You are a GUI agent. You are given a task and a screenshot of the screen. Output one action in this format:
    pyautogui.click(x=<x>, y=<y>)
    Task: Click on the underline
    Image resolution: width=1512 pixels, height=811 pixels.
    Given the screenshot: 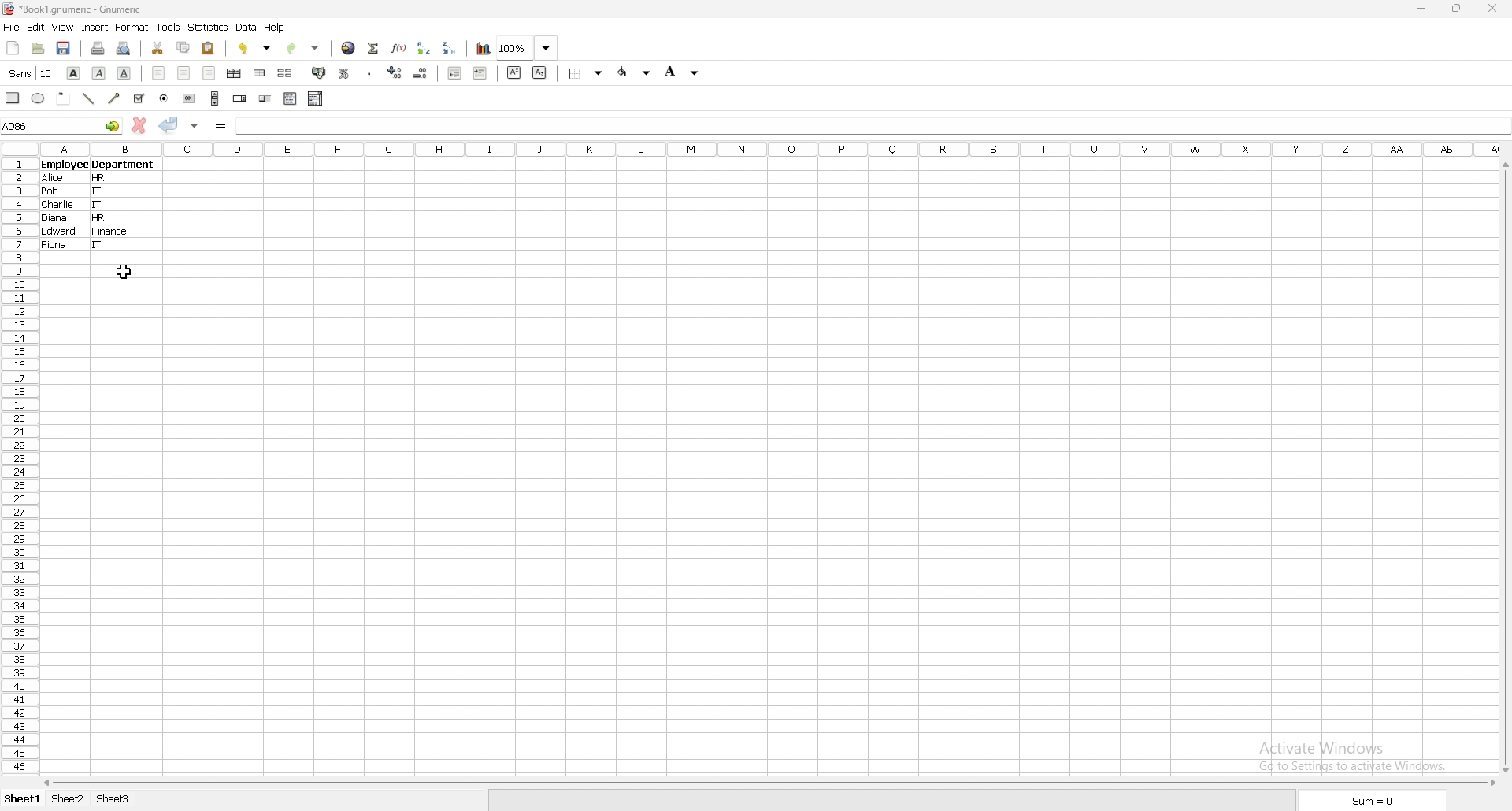 What is the action you would take?
    pyautogui.click(x=124, y=72)
    